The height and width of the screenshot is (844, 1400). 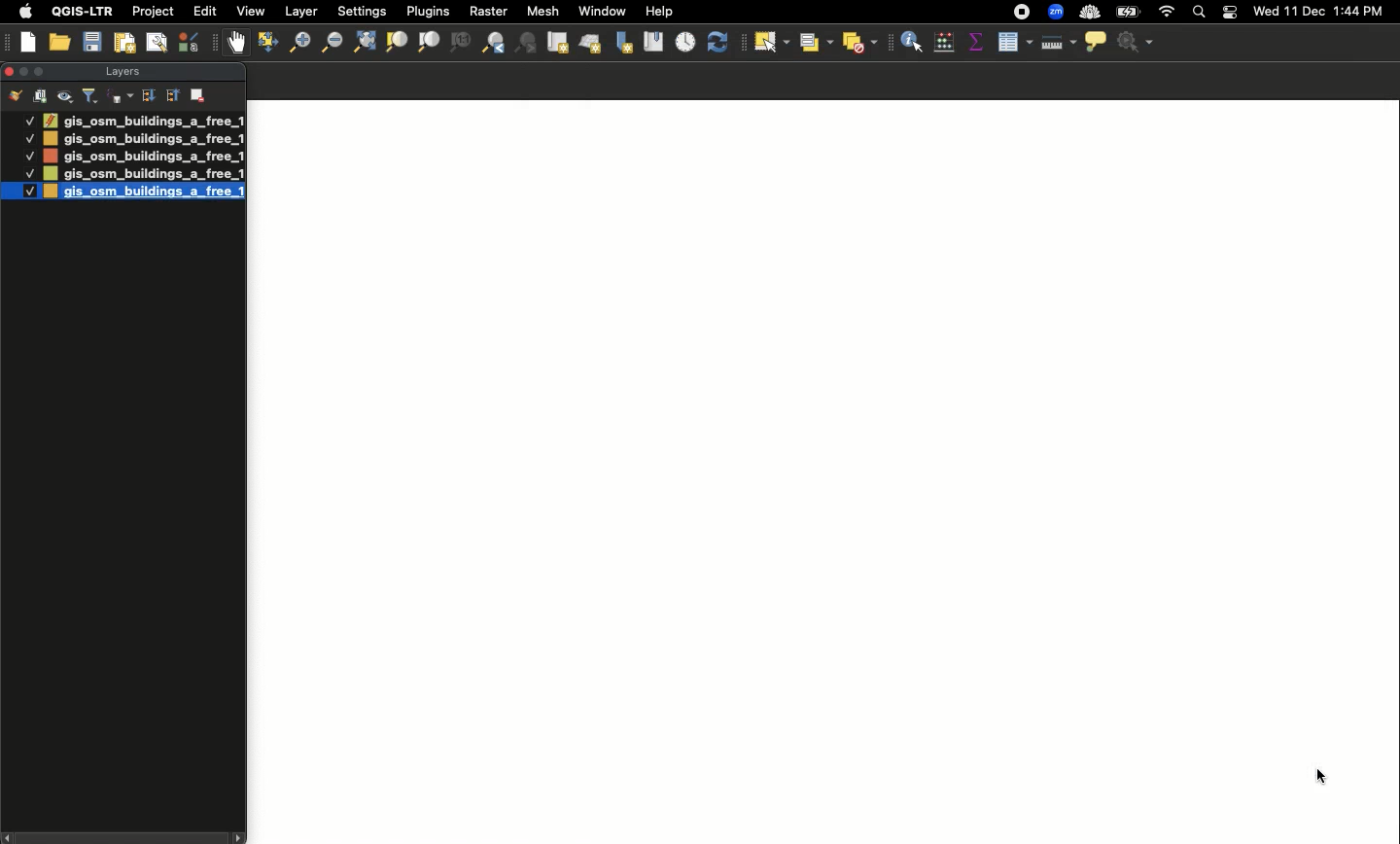 I want to click on Raster, so click(x=486, y=12).